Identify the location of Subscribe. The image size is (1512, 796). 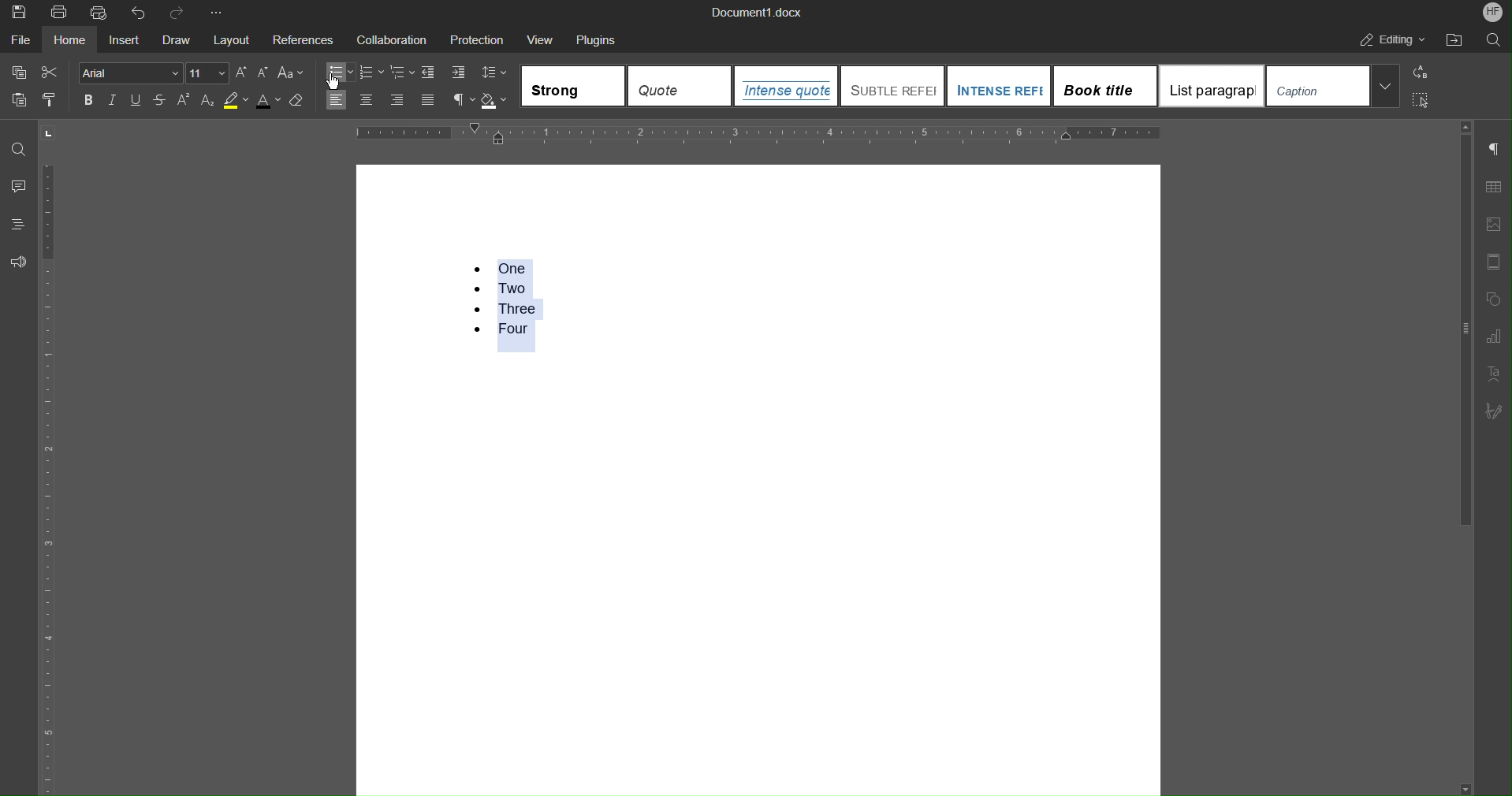
(1493, 413).